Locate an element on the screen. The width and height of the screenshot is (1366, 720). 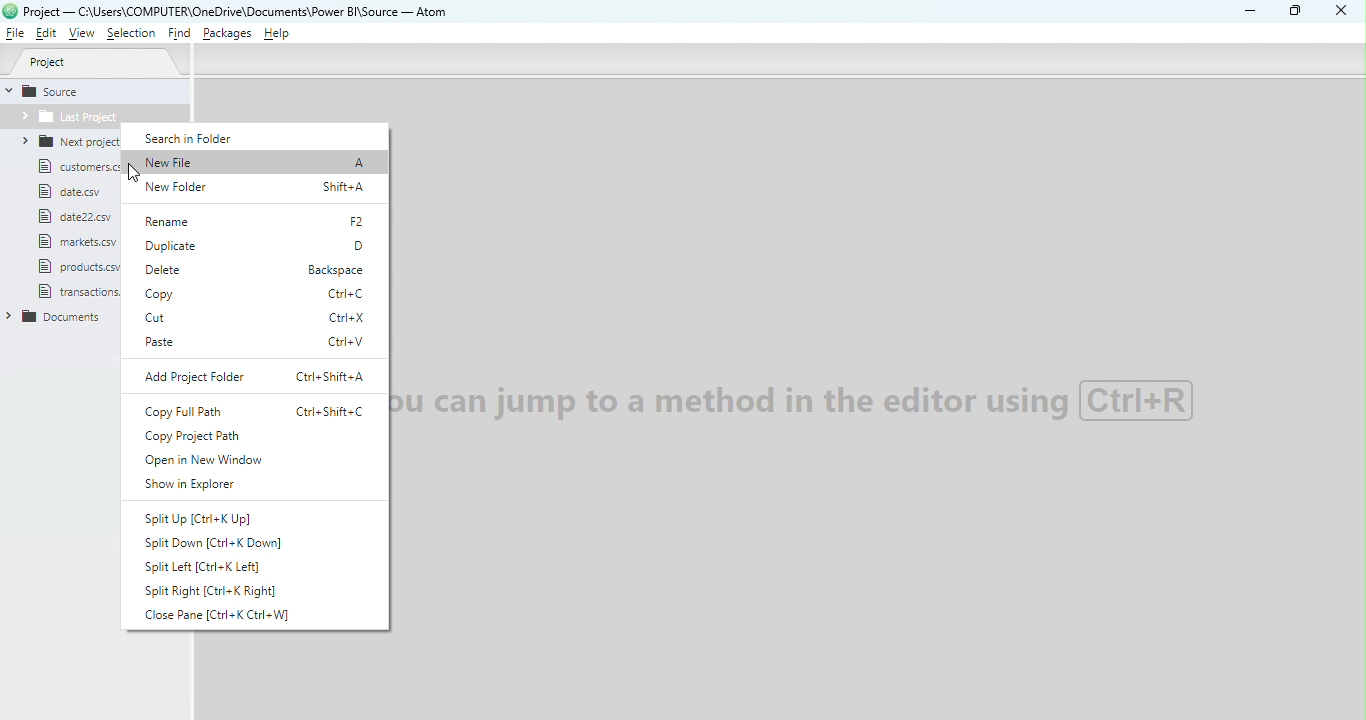
Maximize is located at coordinates (1298, 10).